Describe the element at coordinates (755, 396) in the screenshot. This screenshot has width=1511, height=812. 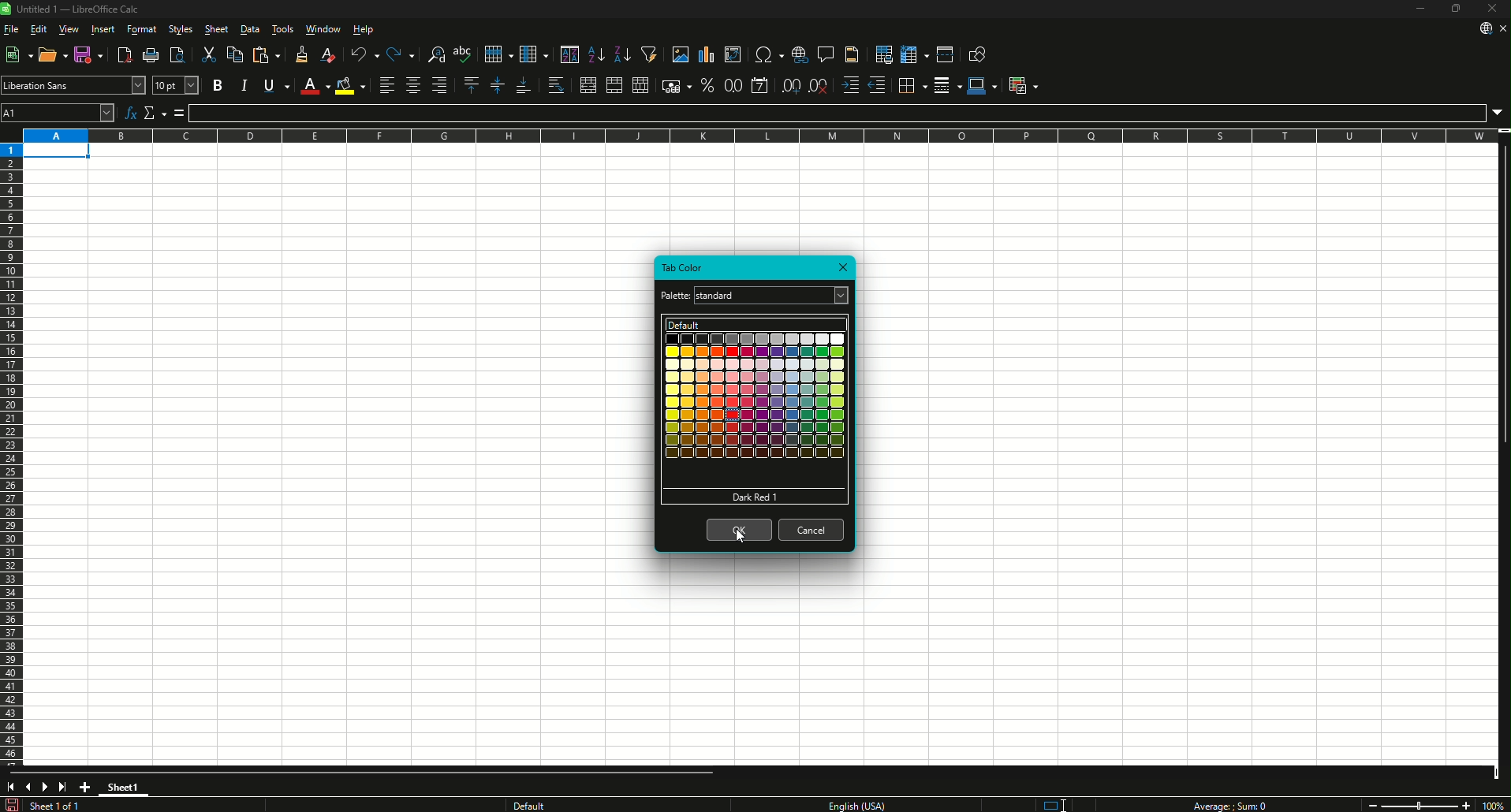
I see `Colors` at that location.